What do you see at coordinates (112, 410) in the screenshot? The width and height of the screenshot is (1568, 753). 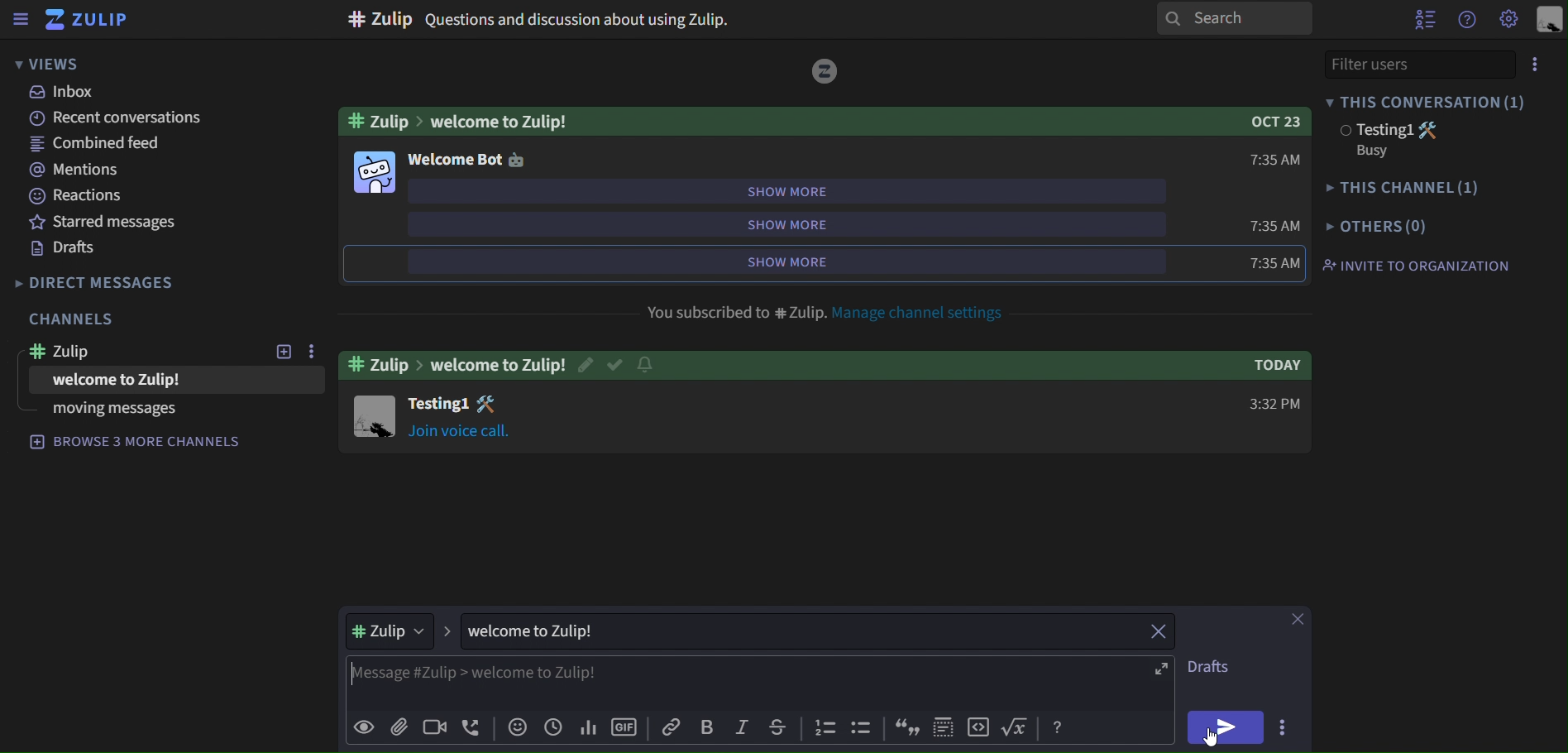 I see `moving messages` at bounding box center [112, 410].